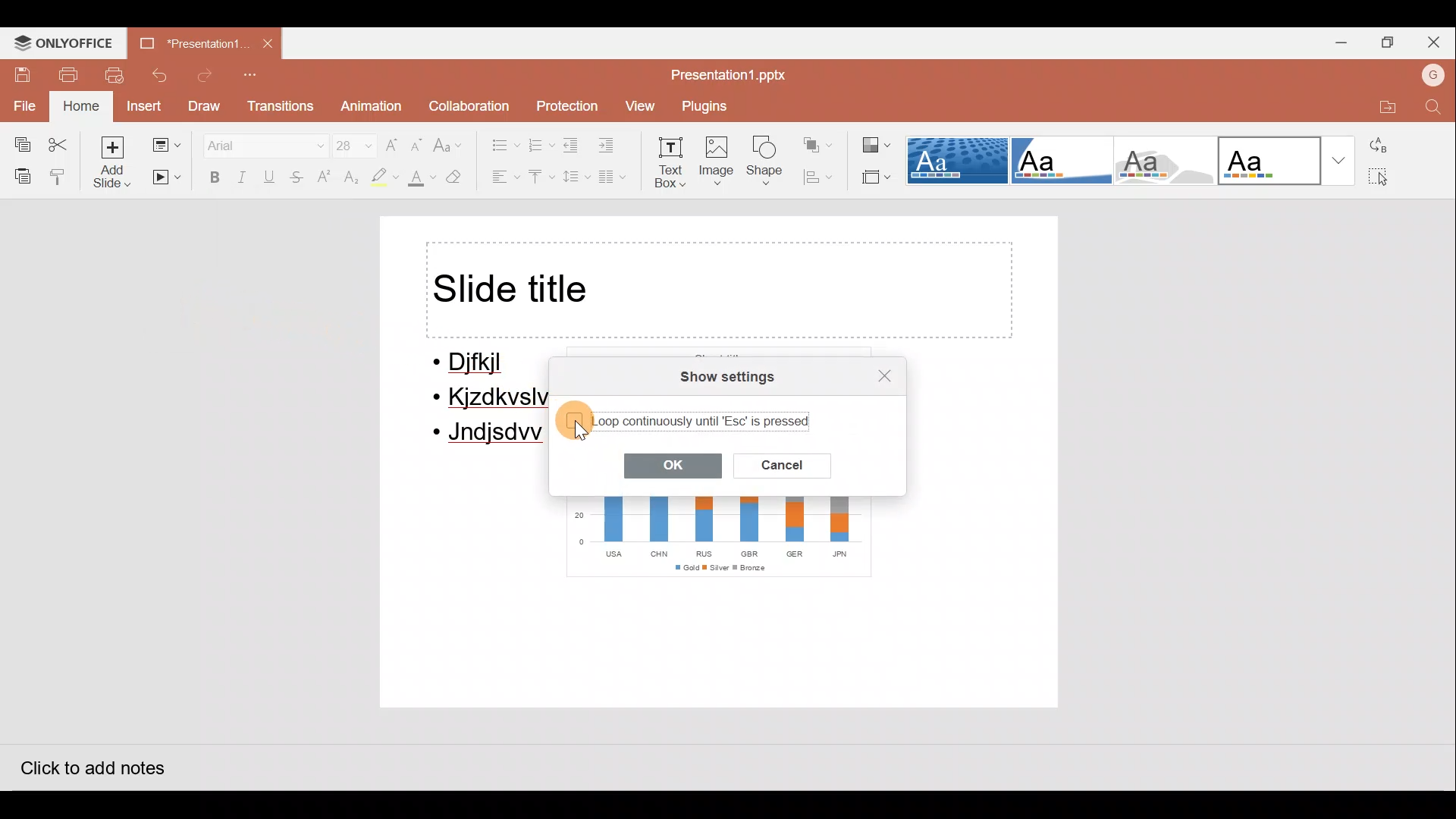 The height and width of the screenshot is (819, 1456). Describe the element at coordinates (875, 178) in the screenshot. I see `Select slide size` at that location.